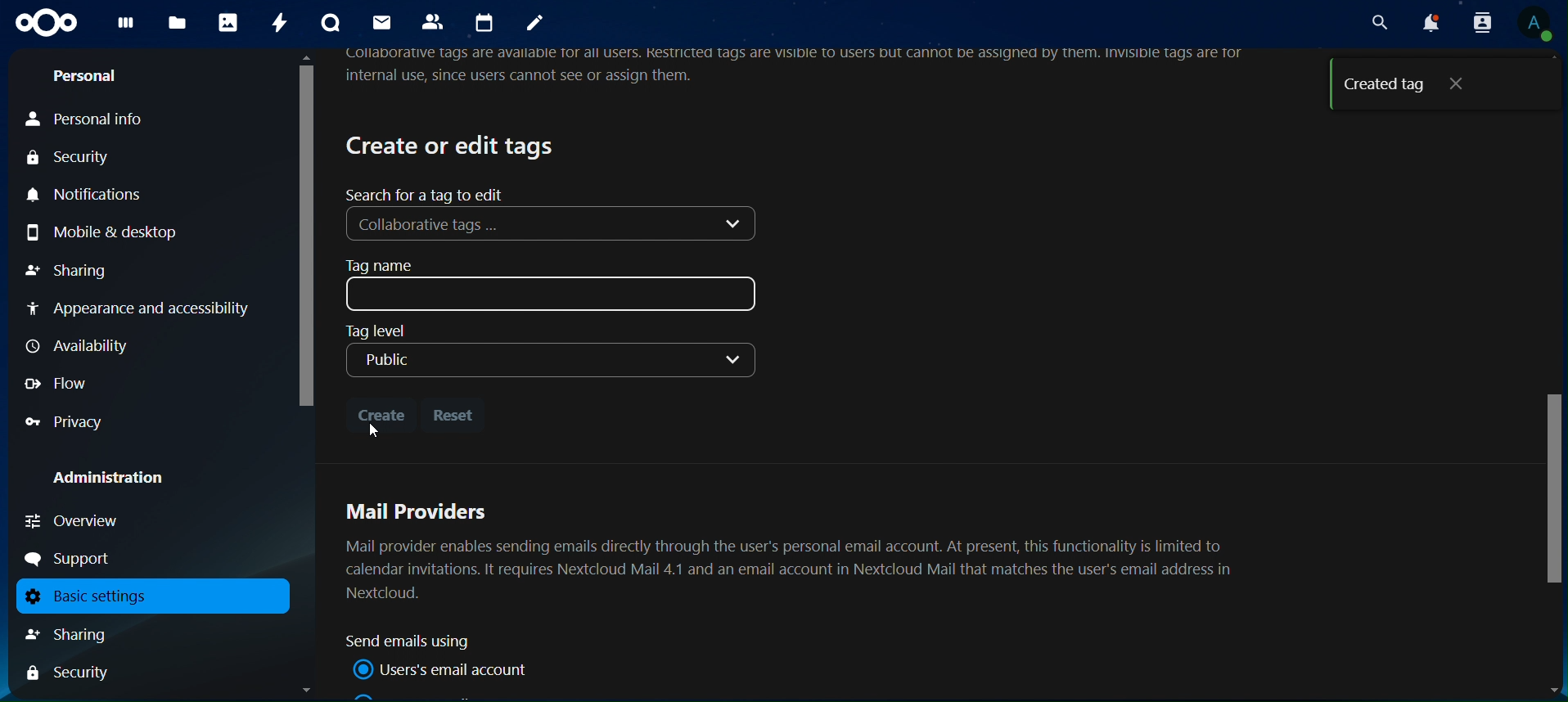  What do you see at coordinates (146, 596) in the screenshot?
I see `basic settings` at bounding box center [146, 596].